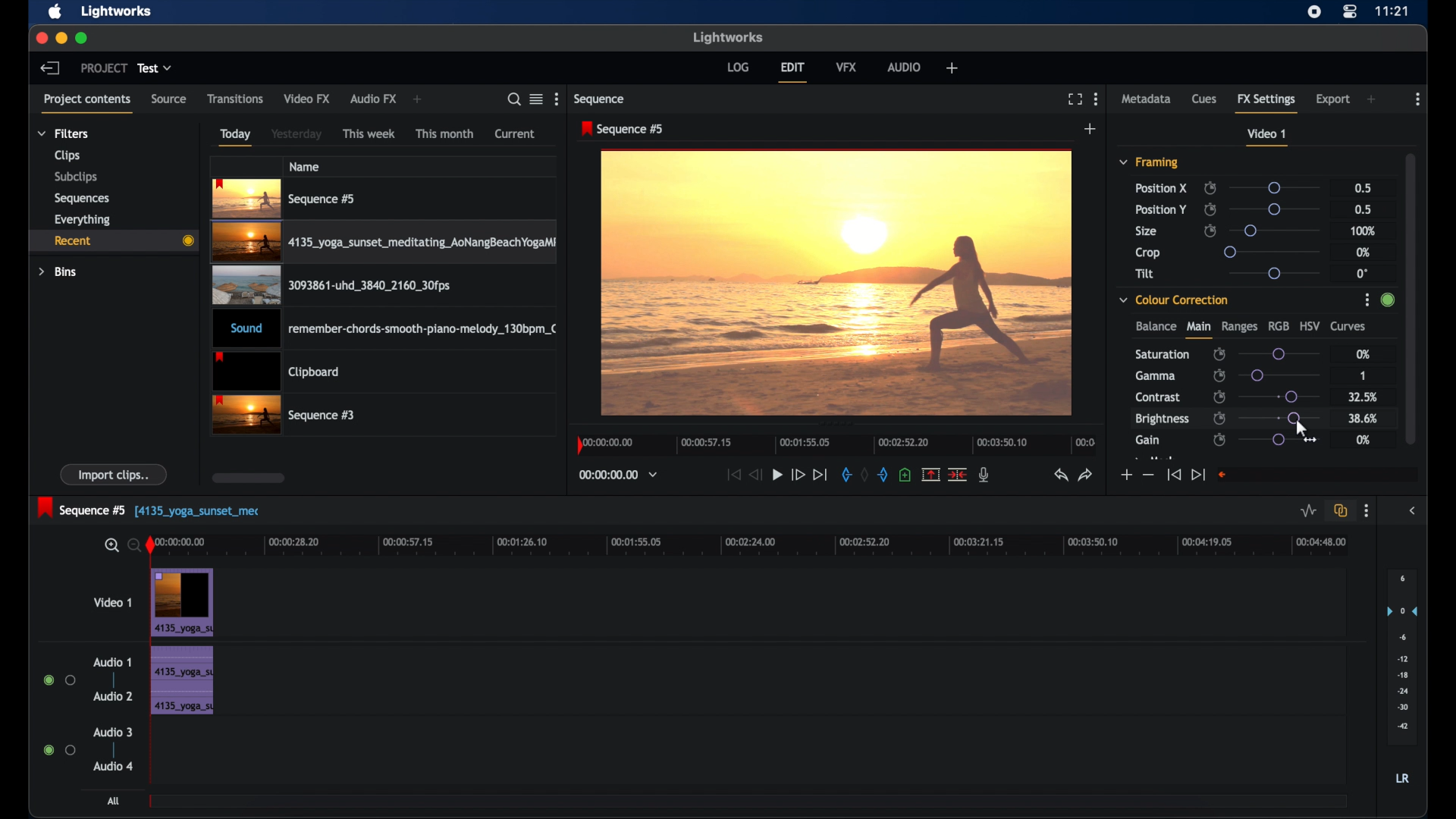  I want to click on redo, so click(1087, 475).